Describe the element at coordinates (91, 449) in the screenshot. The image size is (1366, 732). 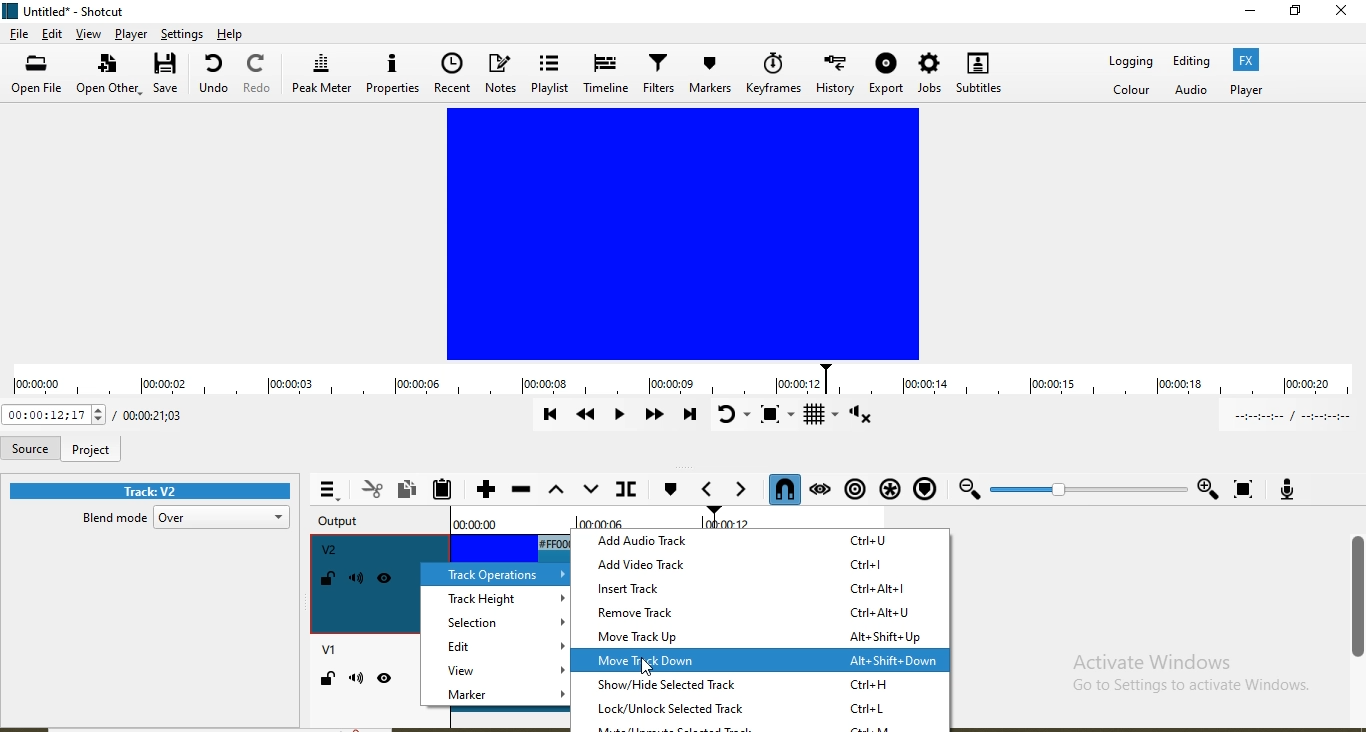
I see `project` at that location.